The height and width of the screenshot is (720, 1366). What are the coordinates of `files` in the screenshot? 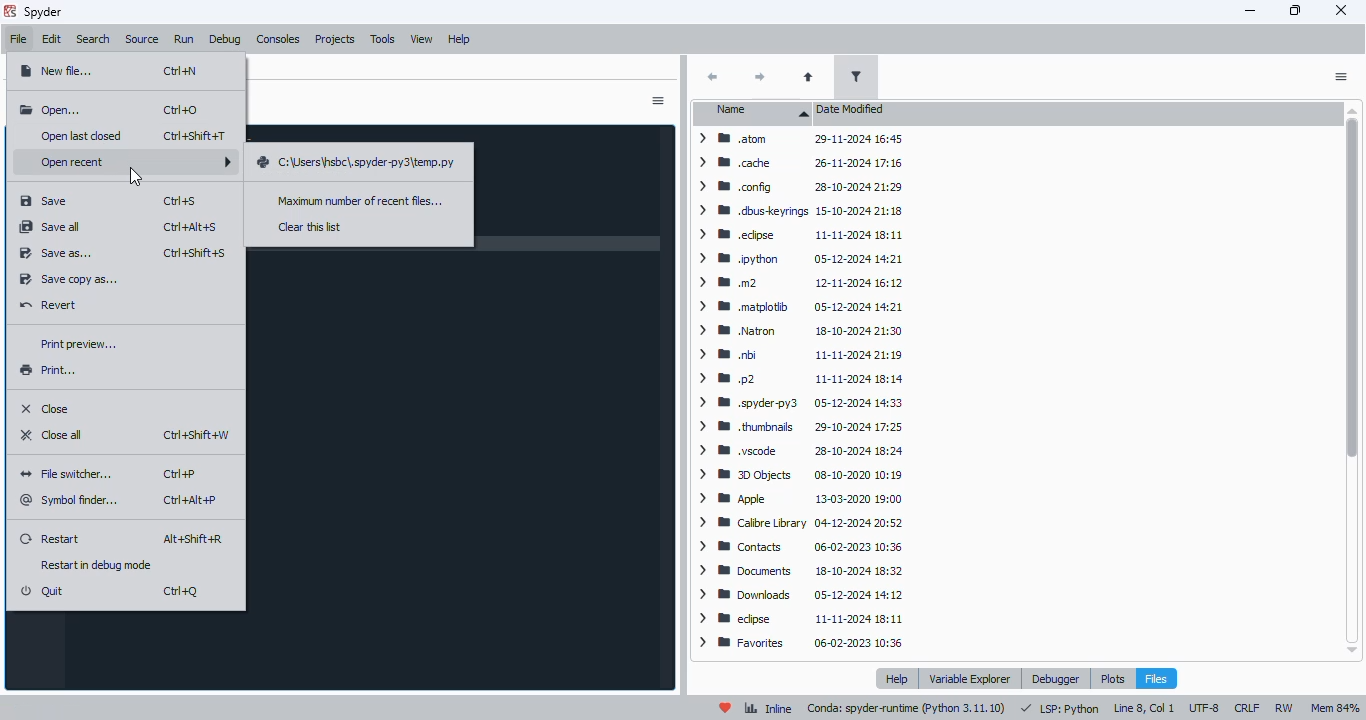 It's located at (1156, 679).